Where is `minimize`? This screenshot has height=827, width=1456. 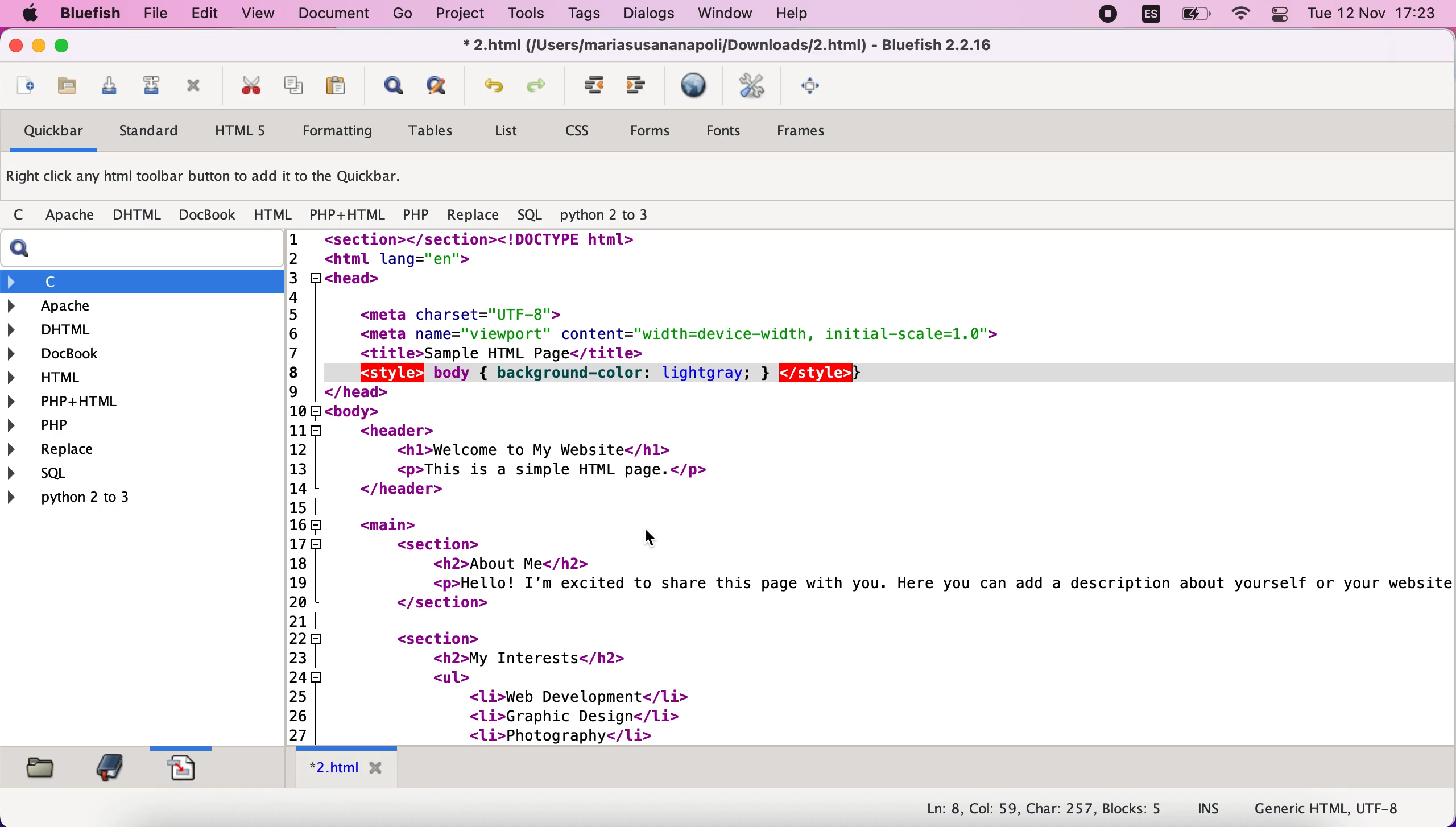
minimize is located at coordinates (39, 47).